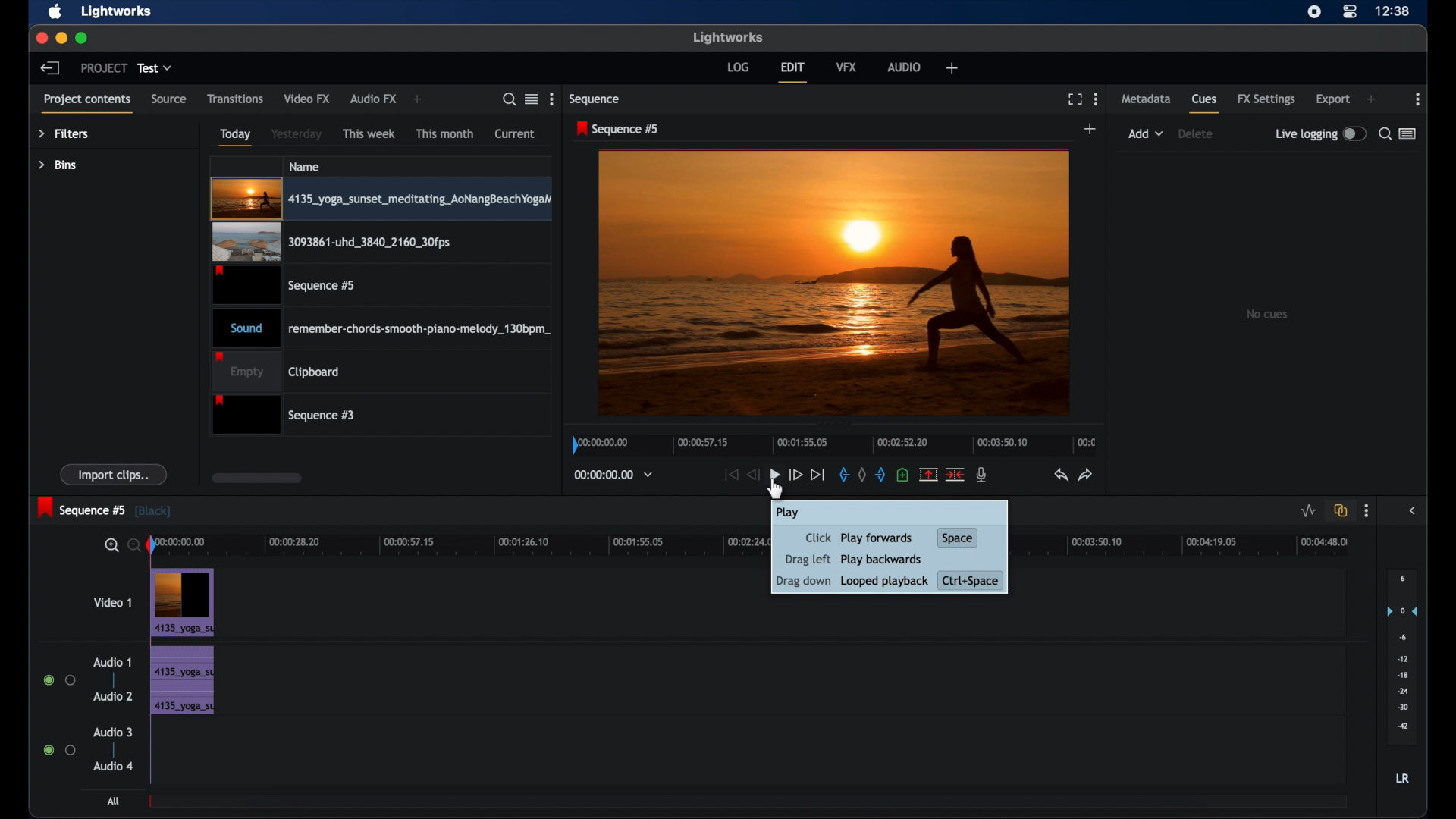  What do you see at coordinates (846, 66) in the screenshot?
I see `vfx` at bounding box center [846, 66].